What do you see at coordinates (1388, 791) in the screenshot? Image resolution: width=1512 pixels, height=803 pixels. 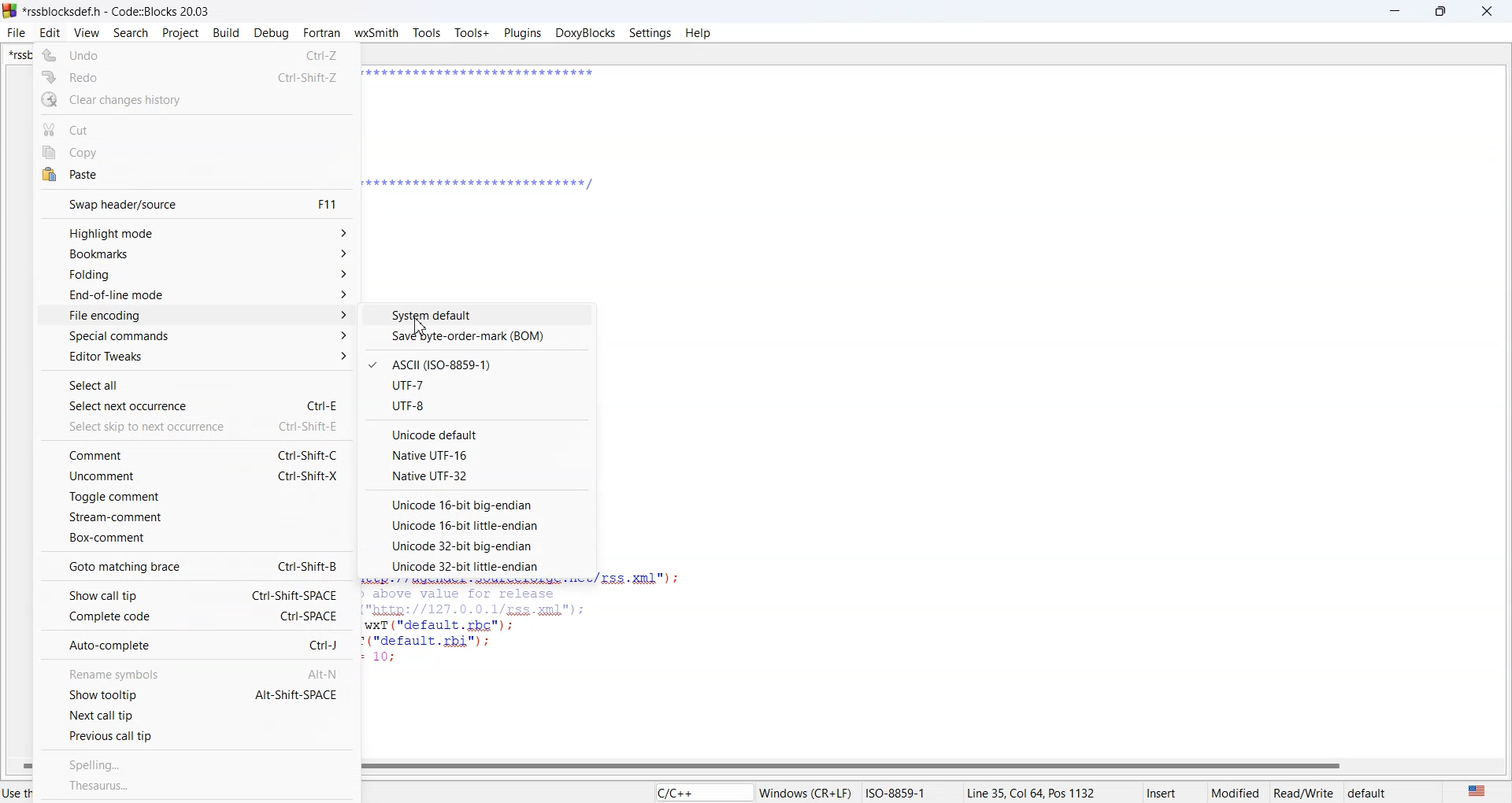 I see `default` at bounding box center [1388, 791].